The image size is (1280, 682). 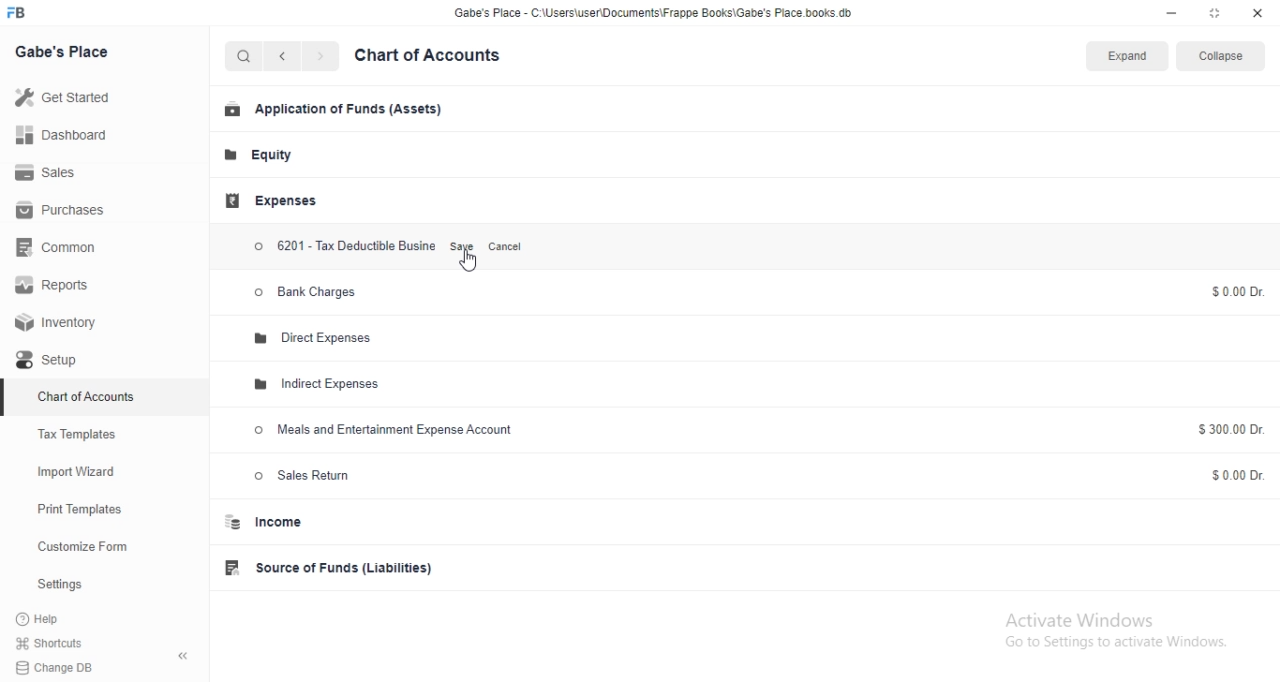 What do you see at coordinates (1169, 14) in the screenshot?
I see `minimize` at bounding box center [1169, 14].